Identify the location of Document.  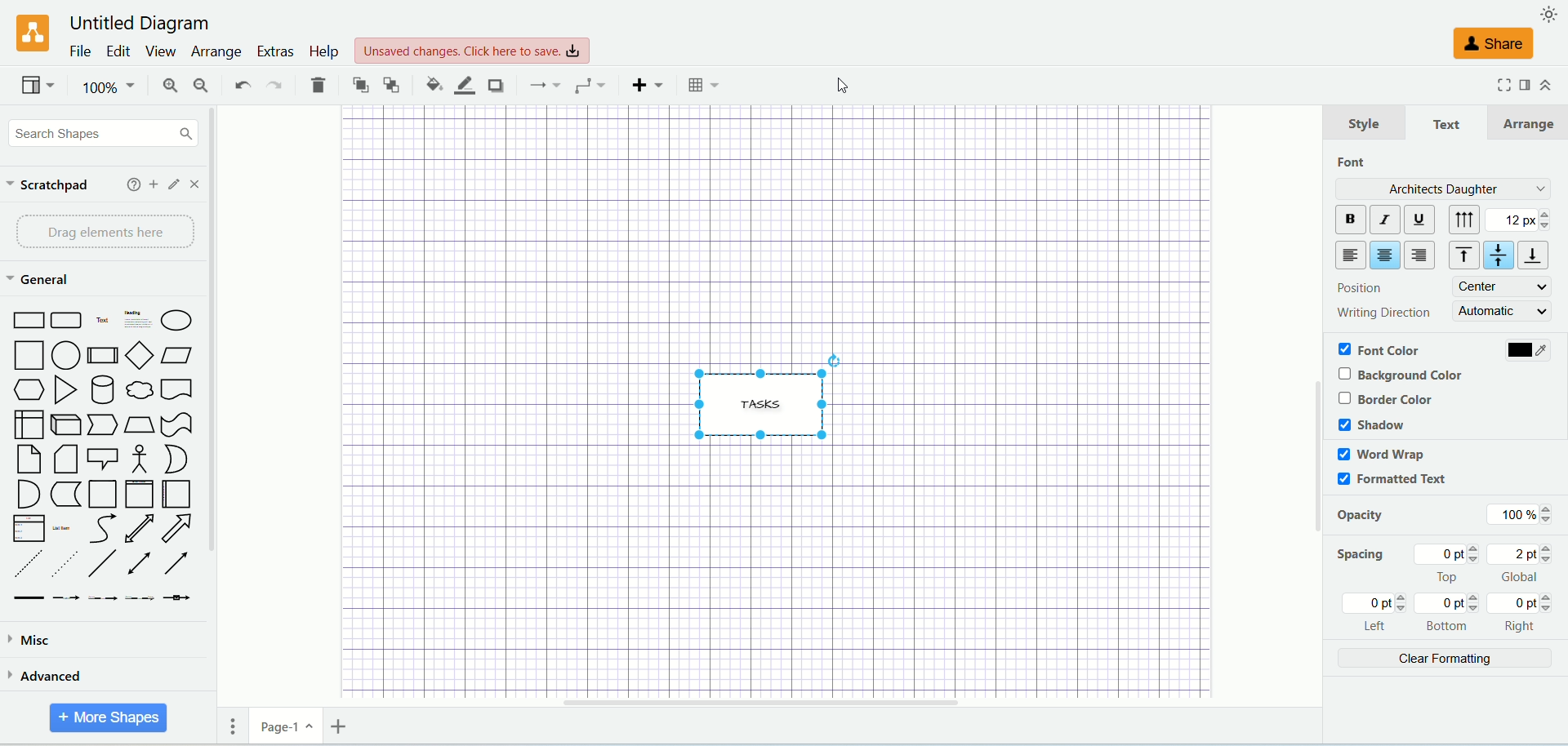
(177, 389).